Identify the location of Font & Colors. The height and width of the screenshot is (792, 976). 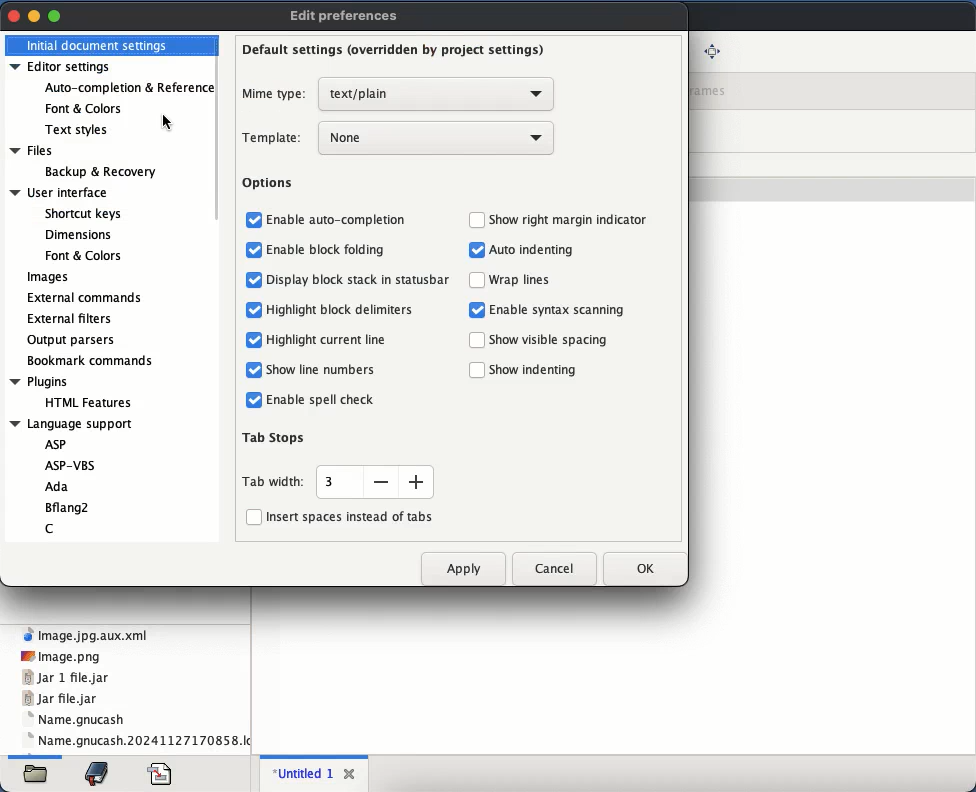
(82, 257).